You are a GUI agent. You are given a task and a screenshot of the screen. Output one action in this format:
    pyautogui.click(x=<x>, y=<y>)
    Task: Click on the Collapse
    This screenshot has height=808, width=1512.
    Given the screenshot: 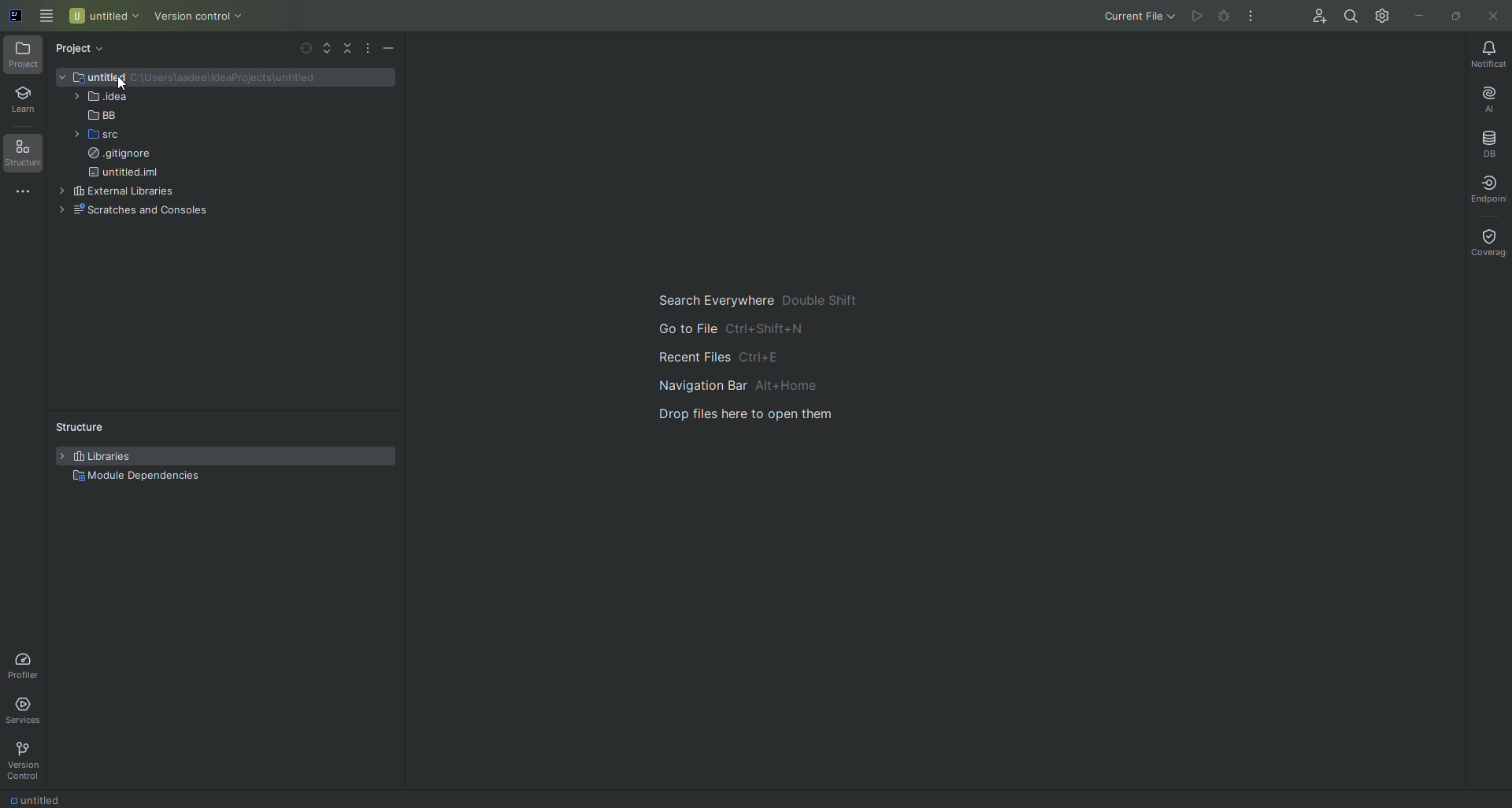 What is the action you would take?
    pyautogui.click(x=347, y=49)
    